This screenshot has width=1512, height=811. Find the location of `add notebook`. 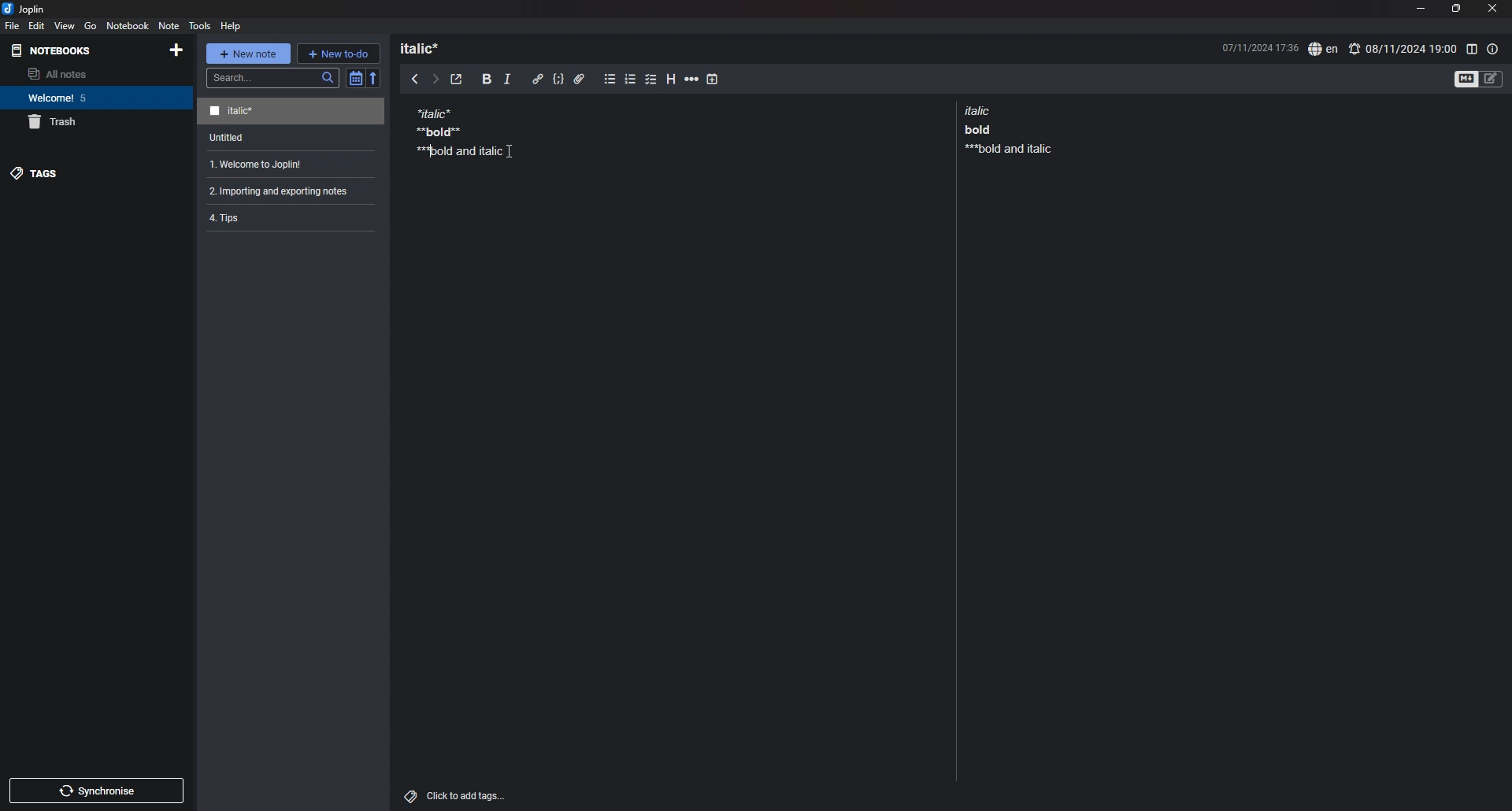

add notebook is located at coordinates (175, 50).